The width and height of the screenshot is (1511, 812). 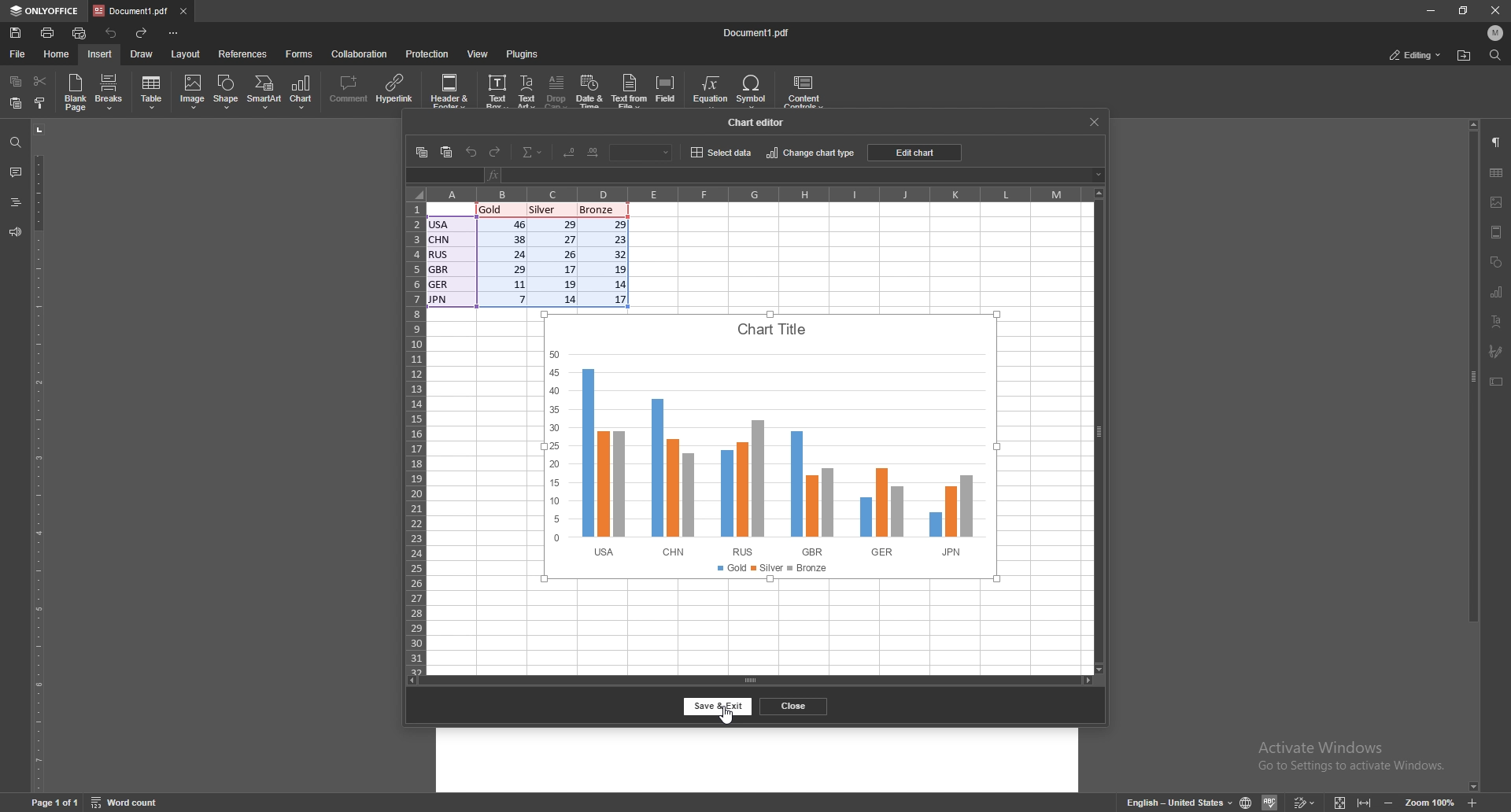 What do you see at coordinates (523, 54) in the screenshot?
I see `plugins` at bounding box center [523, 54].